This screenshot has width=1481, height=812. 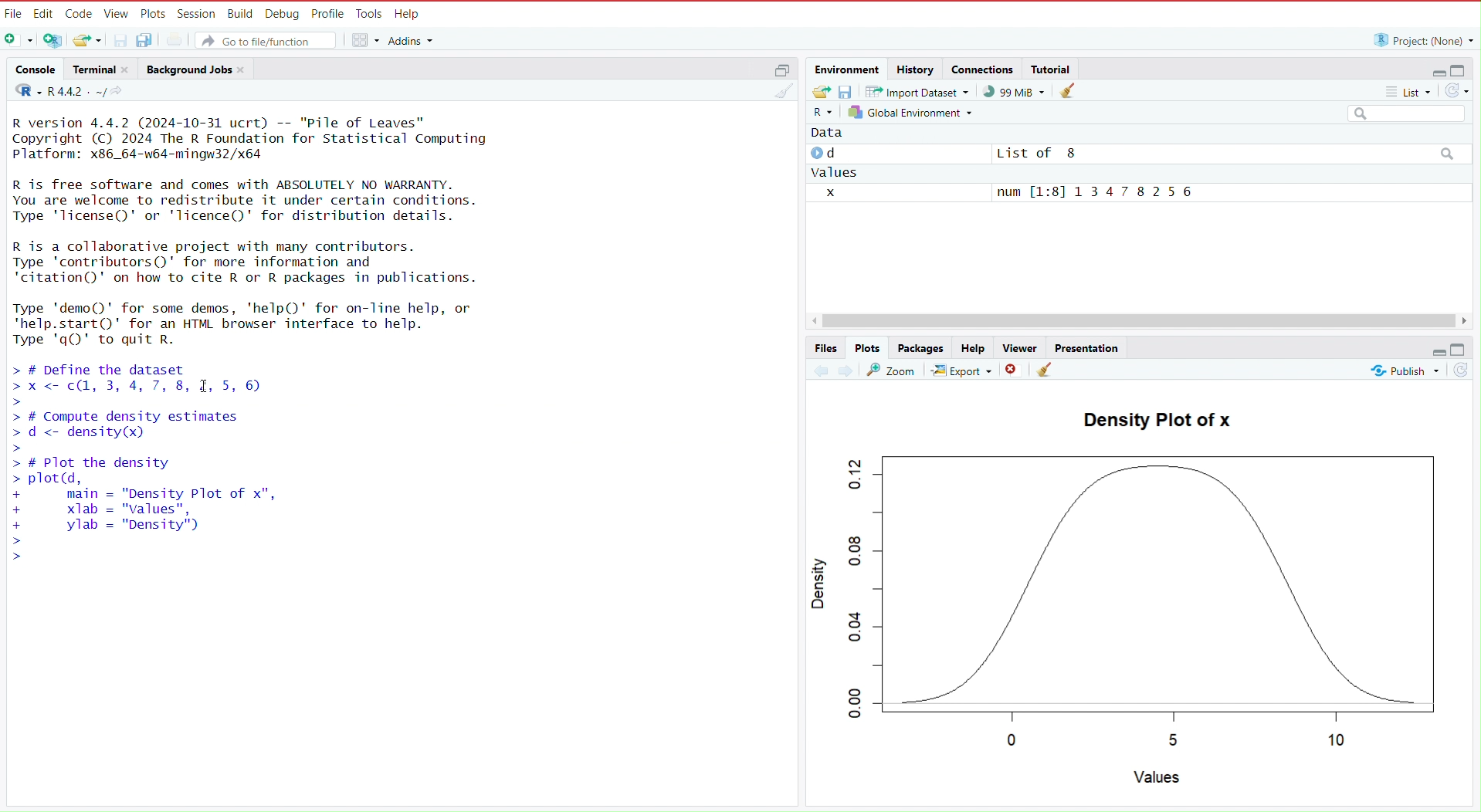 What do you see at coordinates (1038, 153) in the screenshot?
I see `List of 8` at bounding box center [1038, 153].